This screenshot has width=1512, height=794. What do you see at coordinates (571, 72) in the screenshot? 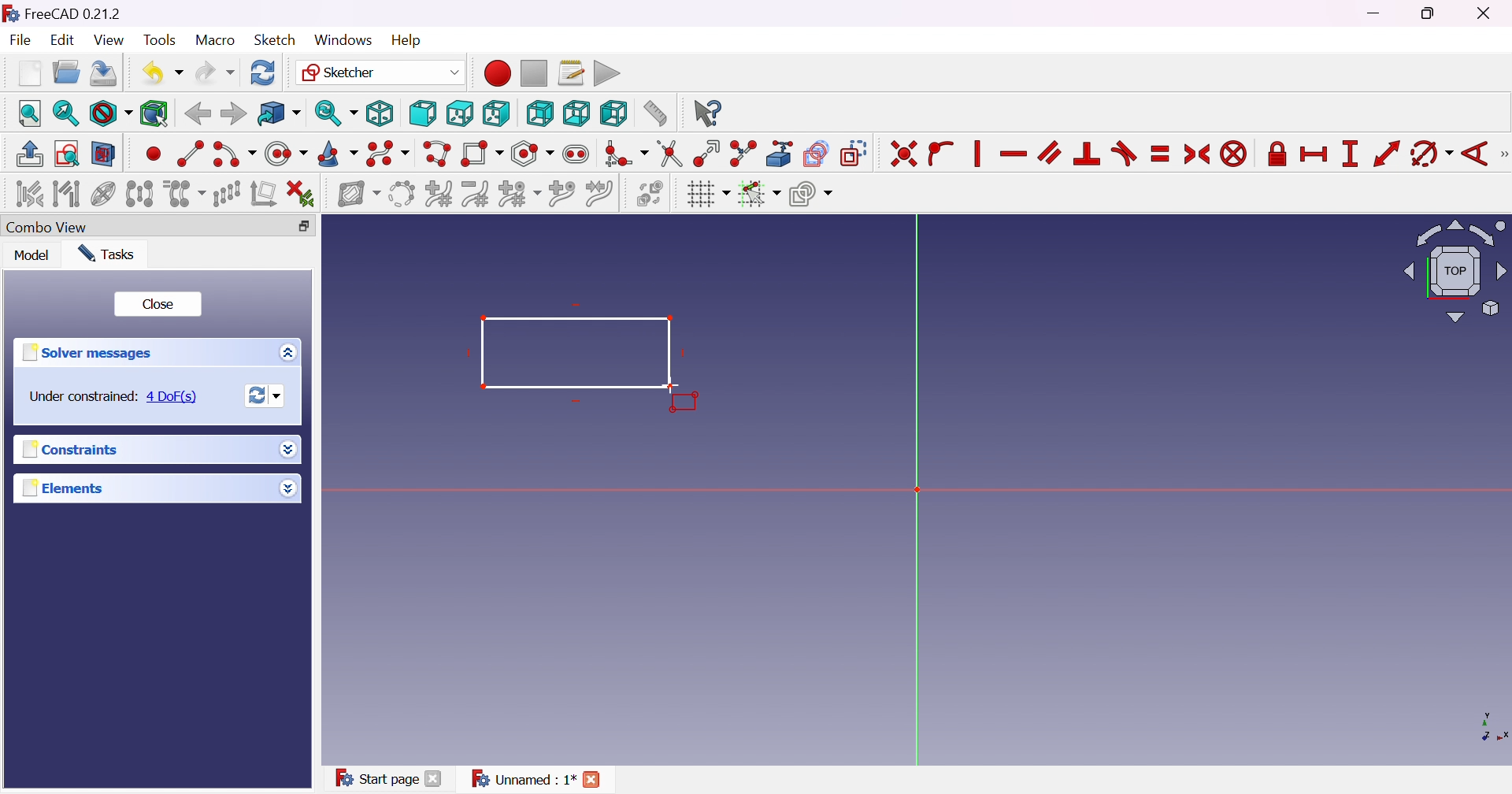
I see `Macros` at bounding box center [571, 72].